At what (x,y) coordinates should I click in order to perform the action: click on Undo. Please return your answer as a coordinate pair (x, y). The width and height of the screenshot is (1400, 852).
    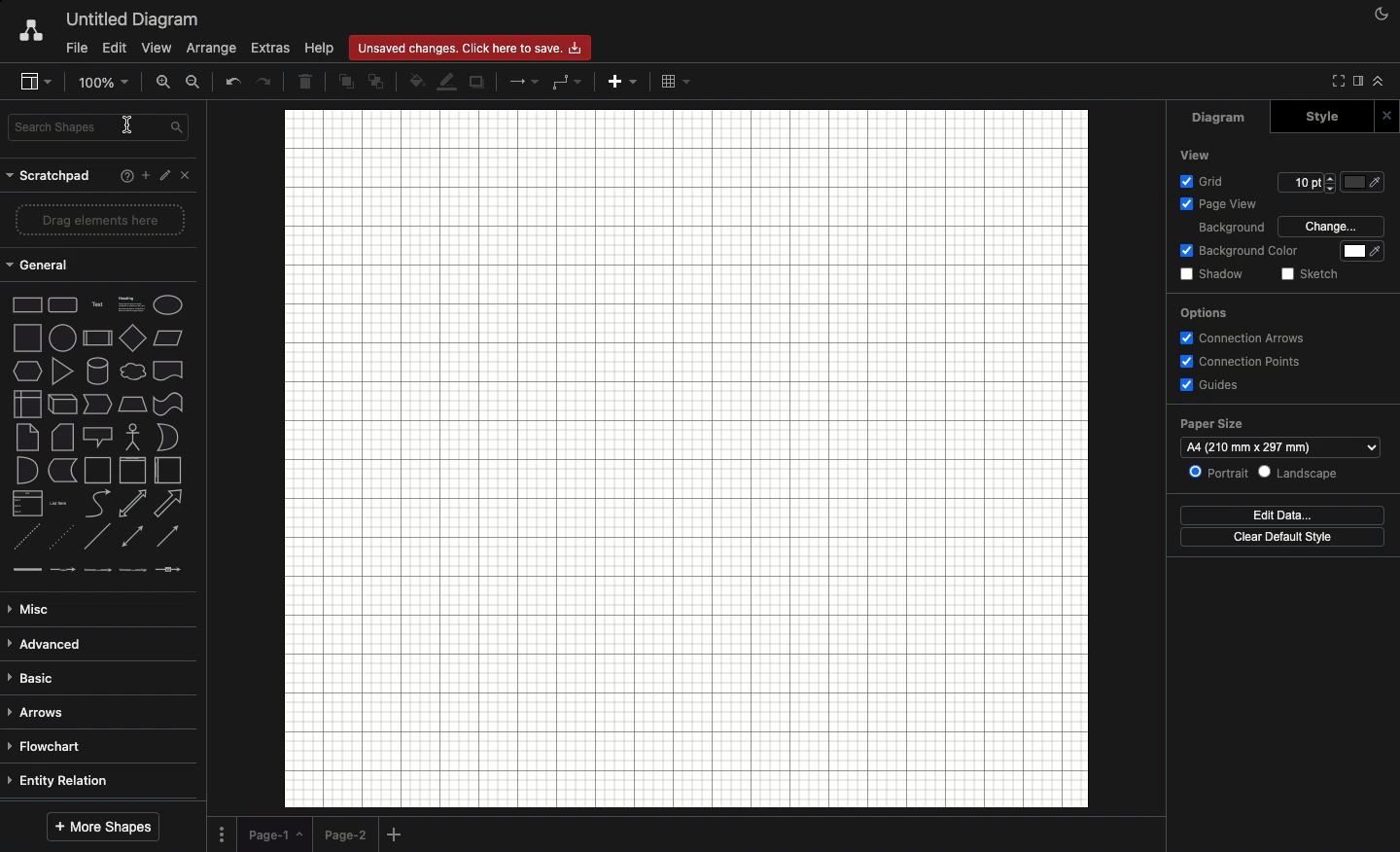
    Looking at the image, I should click on (232, 83).